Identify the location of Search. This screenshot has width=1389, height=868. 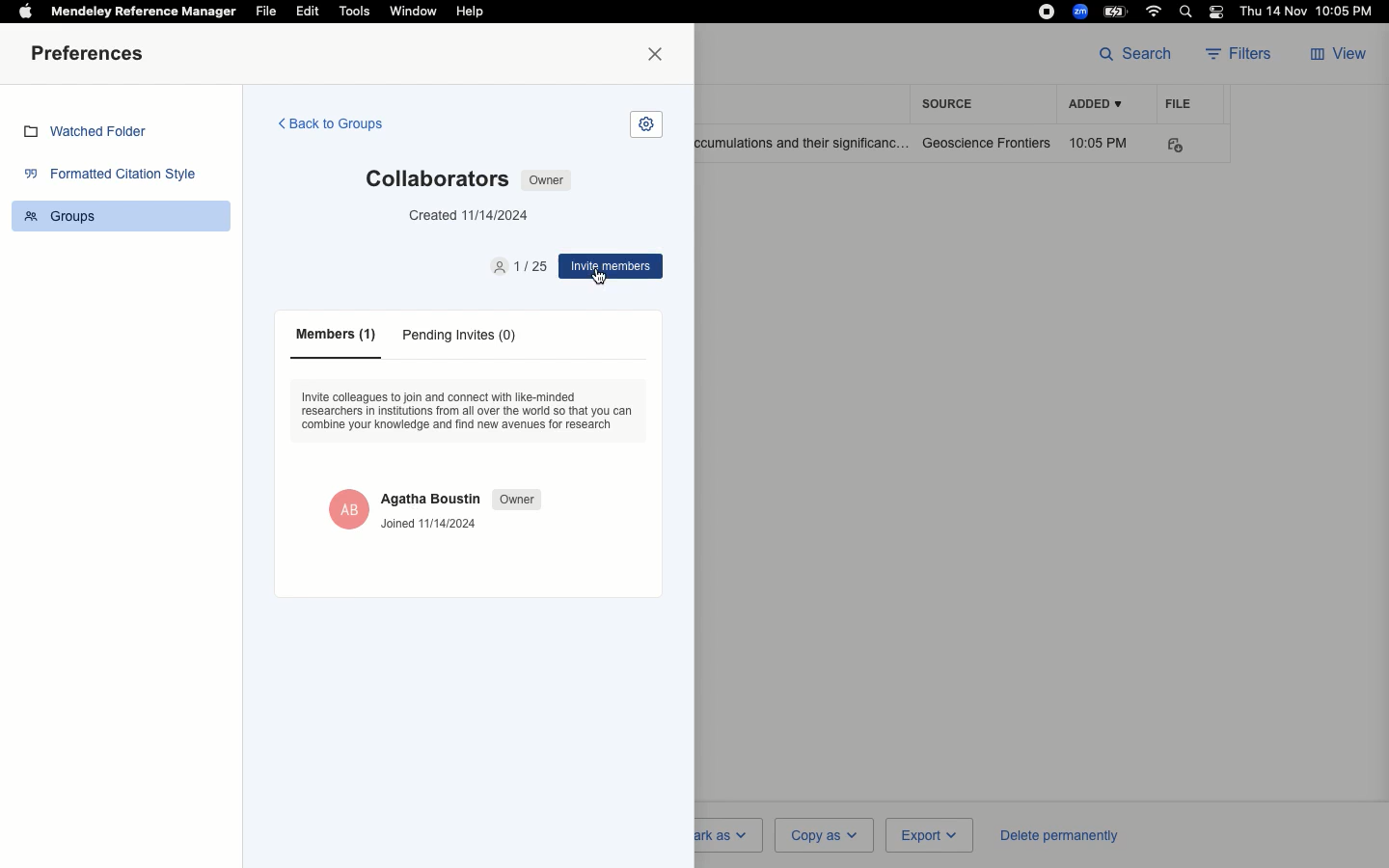
(1188, 14).